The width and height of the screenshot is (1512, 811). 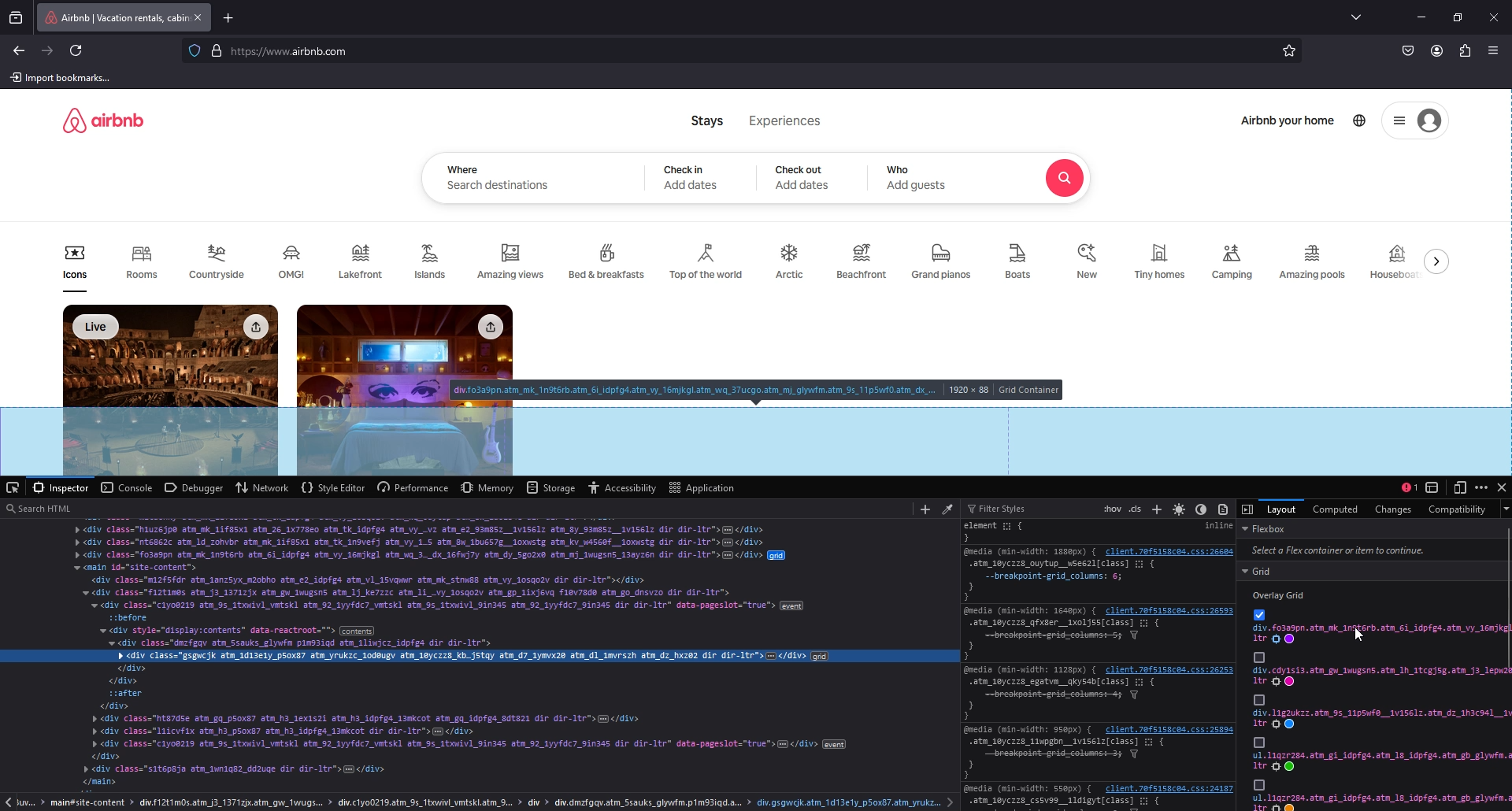 I want to click on Add dates, so click(x=803, y=186).